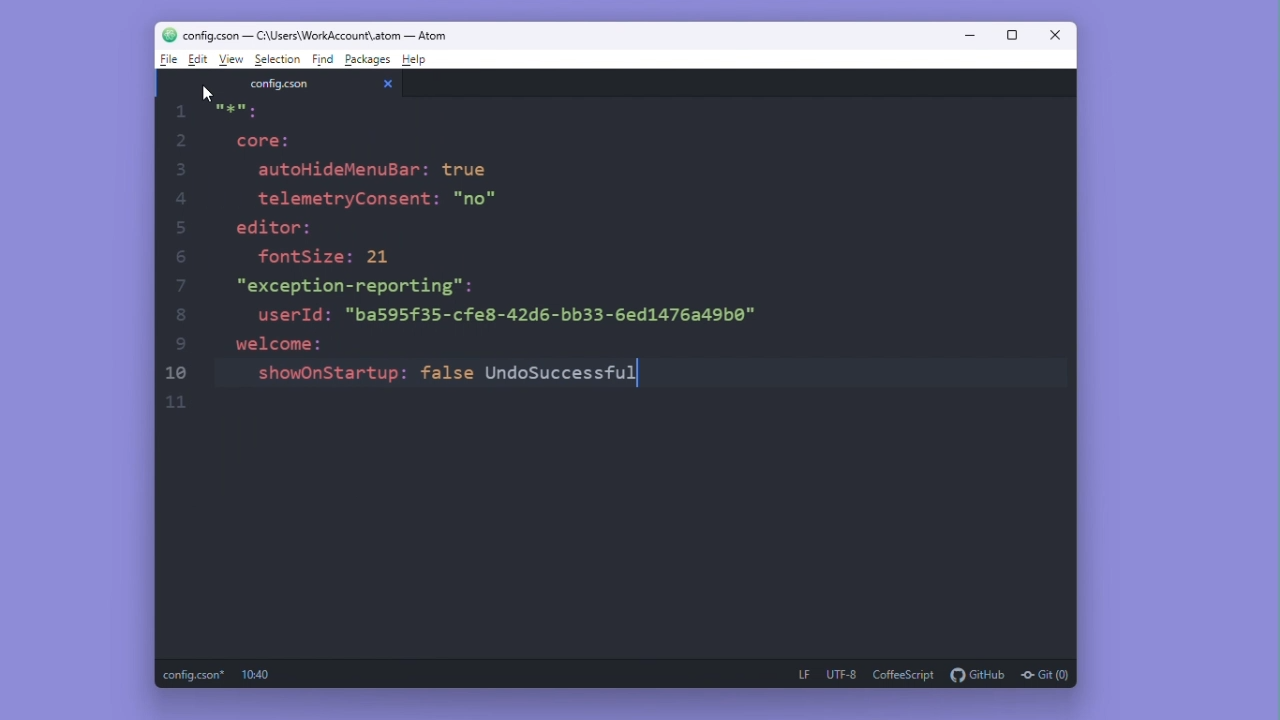  What do you see at coordinates (1059, 34) in the screenshot?
I see `Close` at bounding box center [1059, 34].